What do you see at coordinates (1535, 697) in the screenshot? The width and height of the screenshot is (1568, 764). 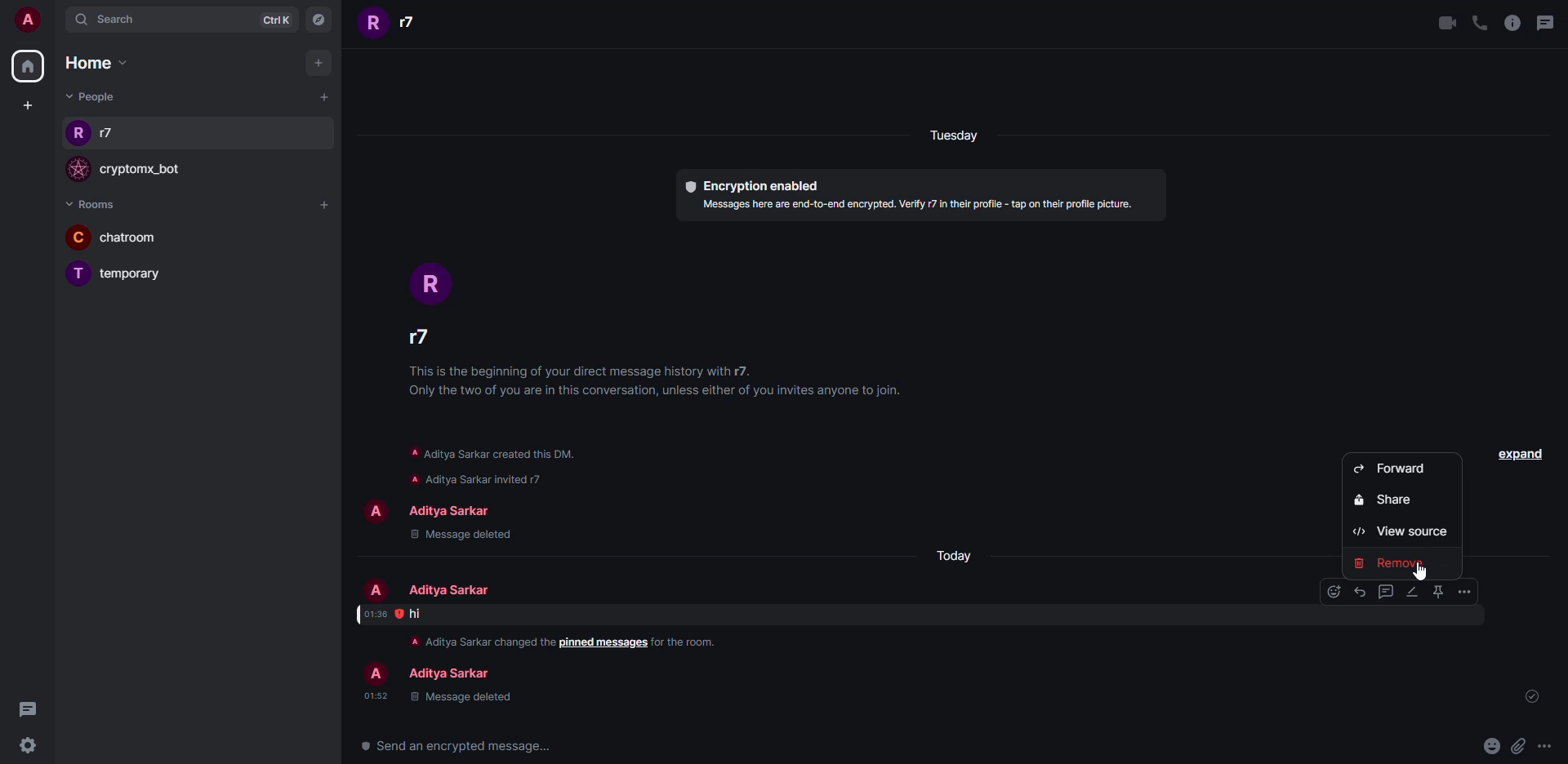 I see `sent` at bounding box center [1535, 697].